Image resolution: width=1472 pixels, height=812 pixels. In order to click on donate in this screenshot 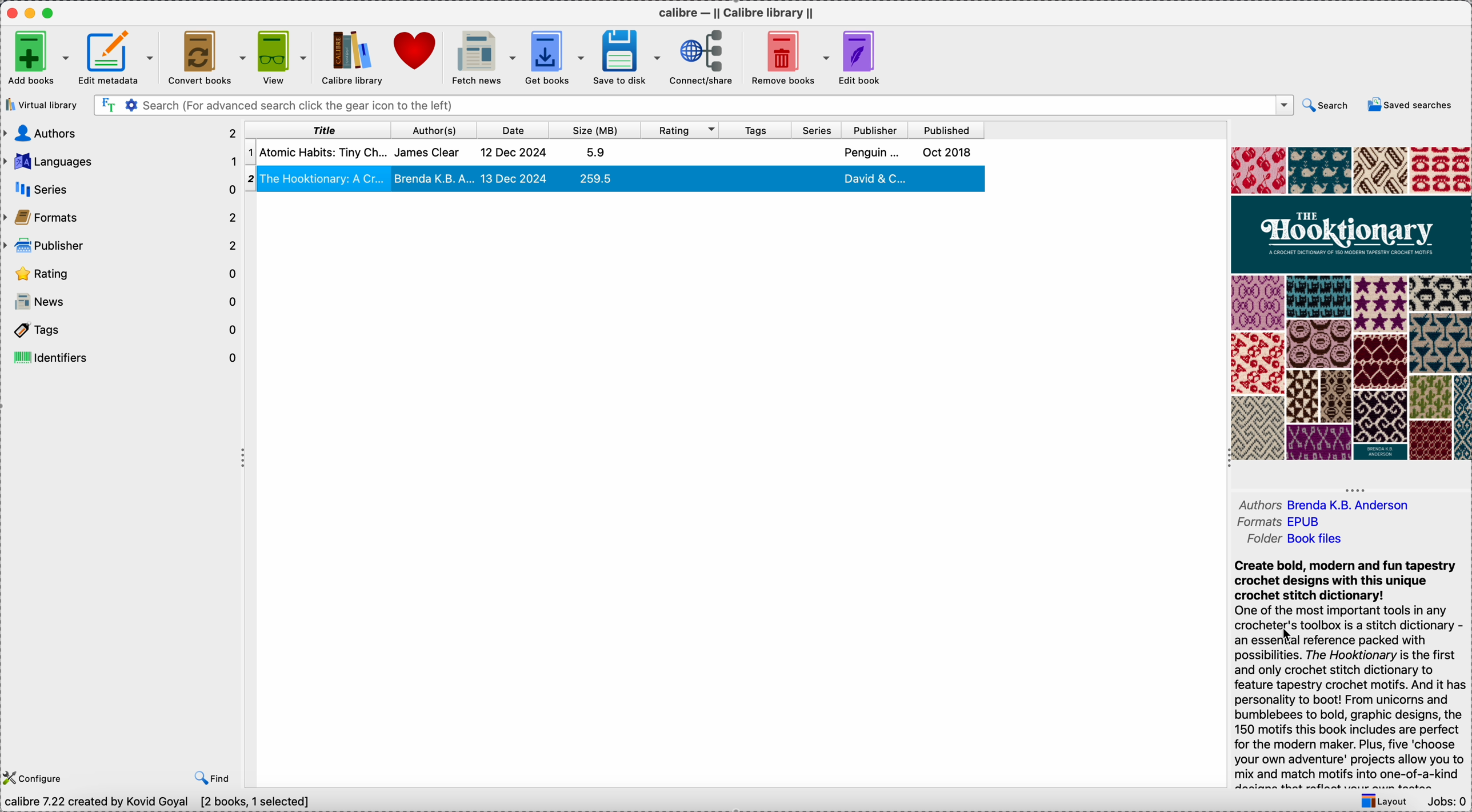, I will do `click(414, 51)`.